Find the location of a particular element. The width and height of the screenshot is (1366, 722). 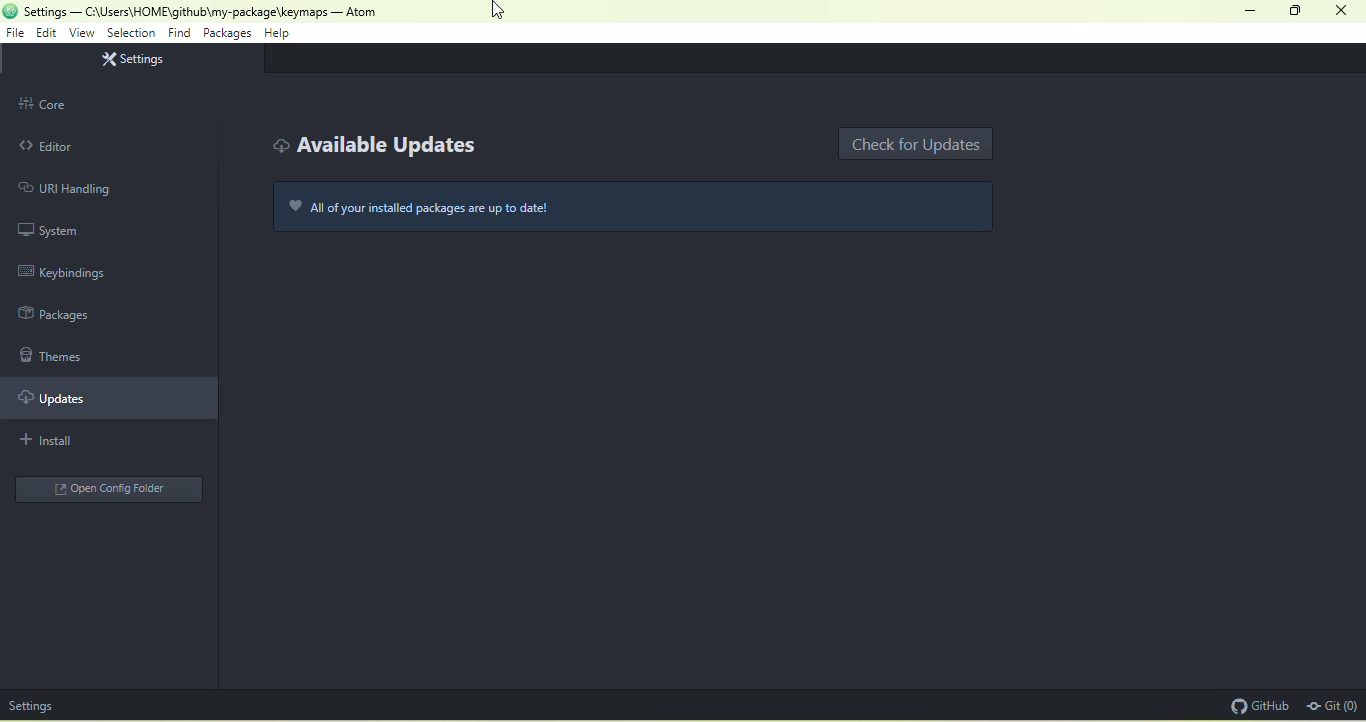

edit is located at coordinates (46, 33).